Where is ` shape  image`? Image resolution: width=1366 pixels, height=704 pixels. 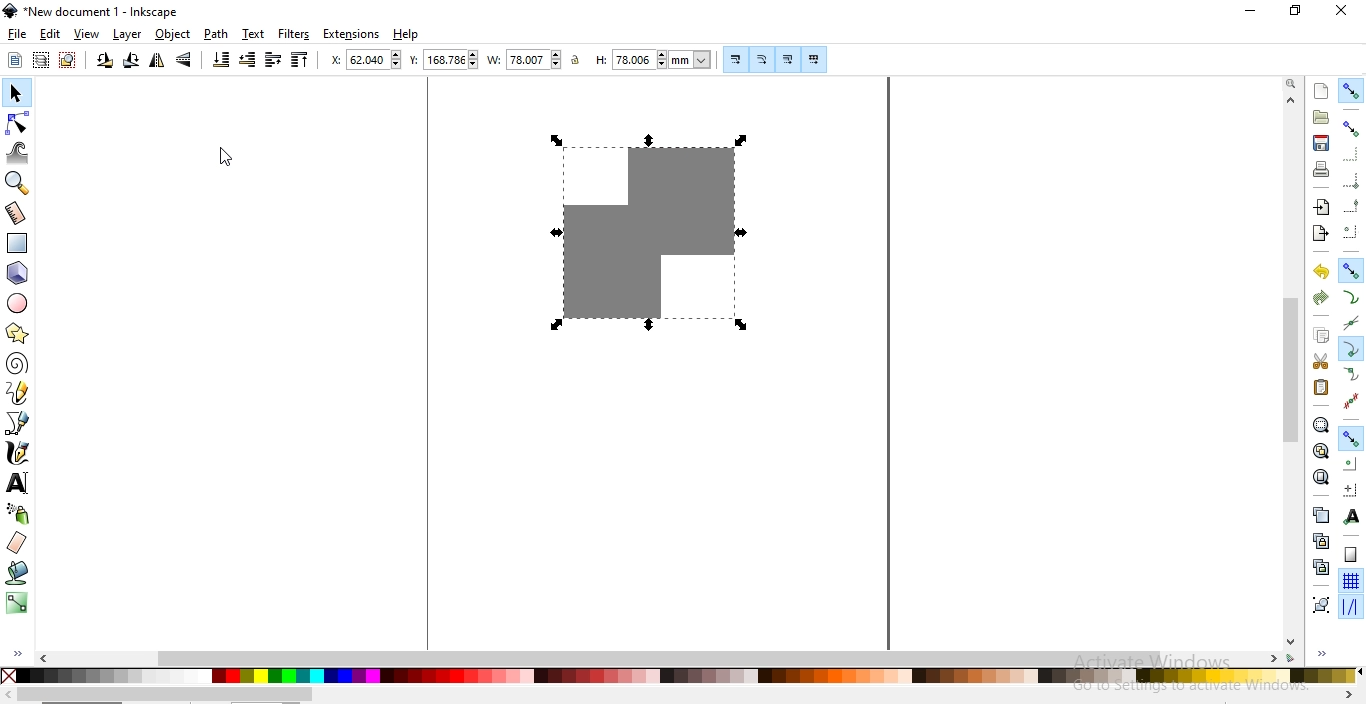  shape  image is located at coordinates (642, 231).